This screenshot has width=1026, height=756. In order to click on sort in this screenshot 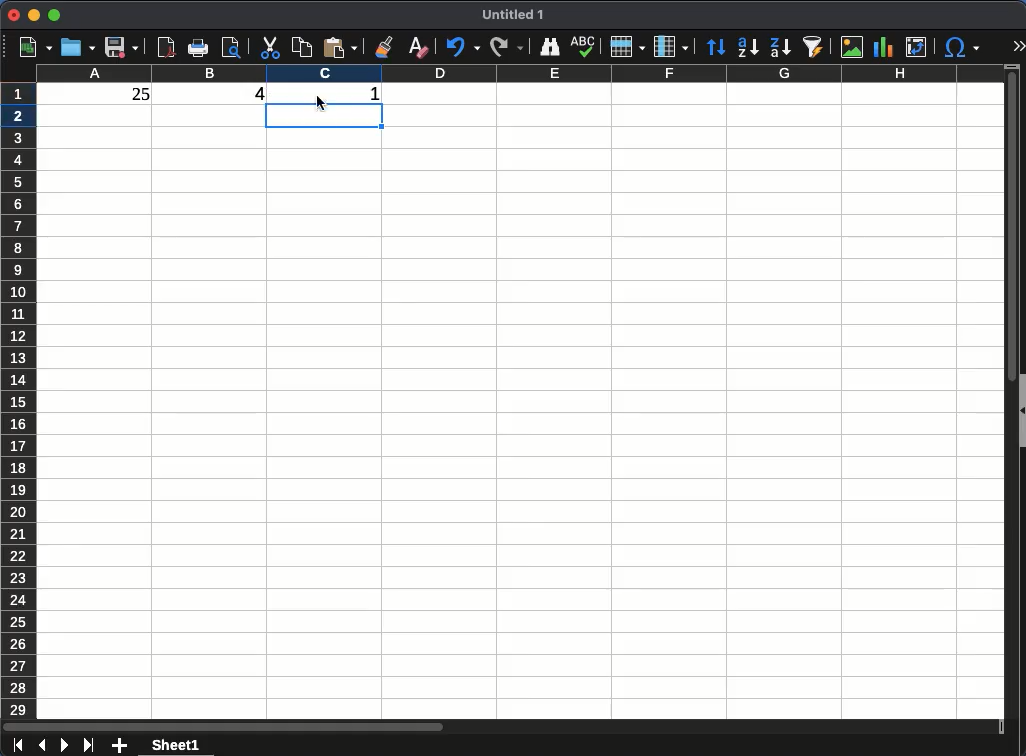, I will do `click(718, 47)`.